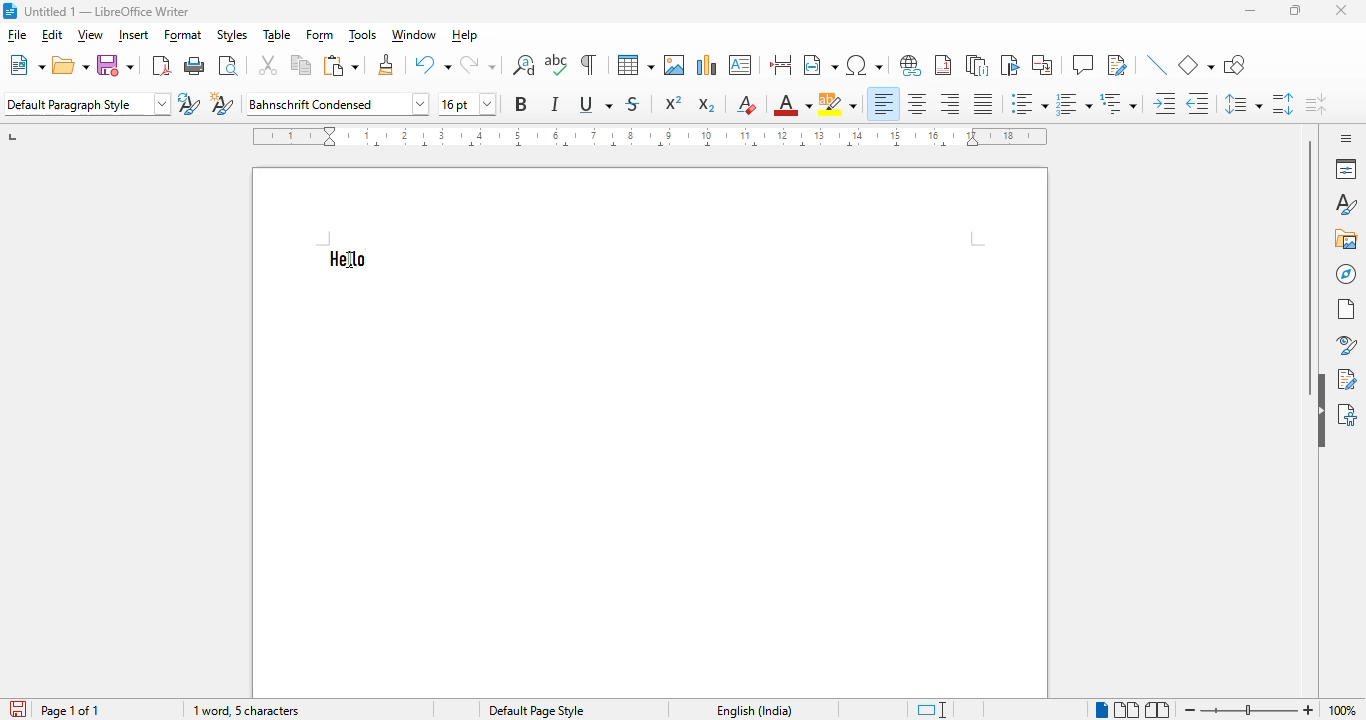 The image size is (1366, 720). I want to click on window, so click(413, 35).